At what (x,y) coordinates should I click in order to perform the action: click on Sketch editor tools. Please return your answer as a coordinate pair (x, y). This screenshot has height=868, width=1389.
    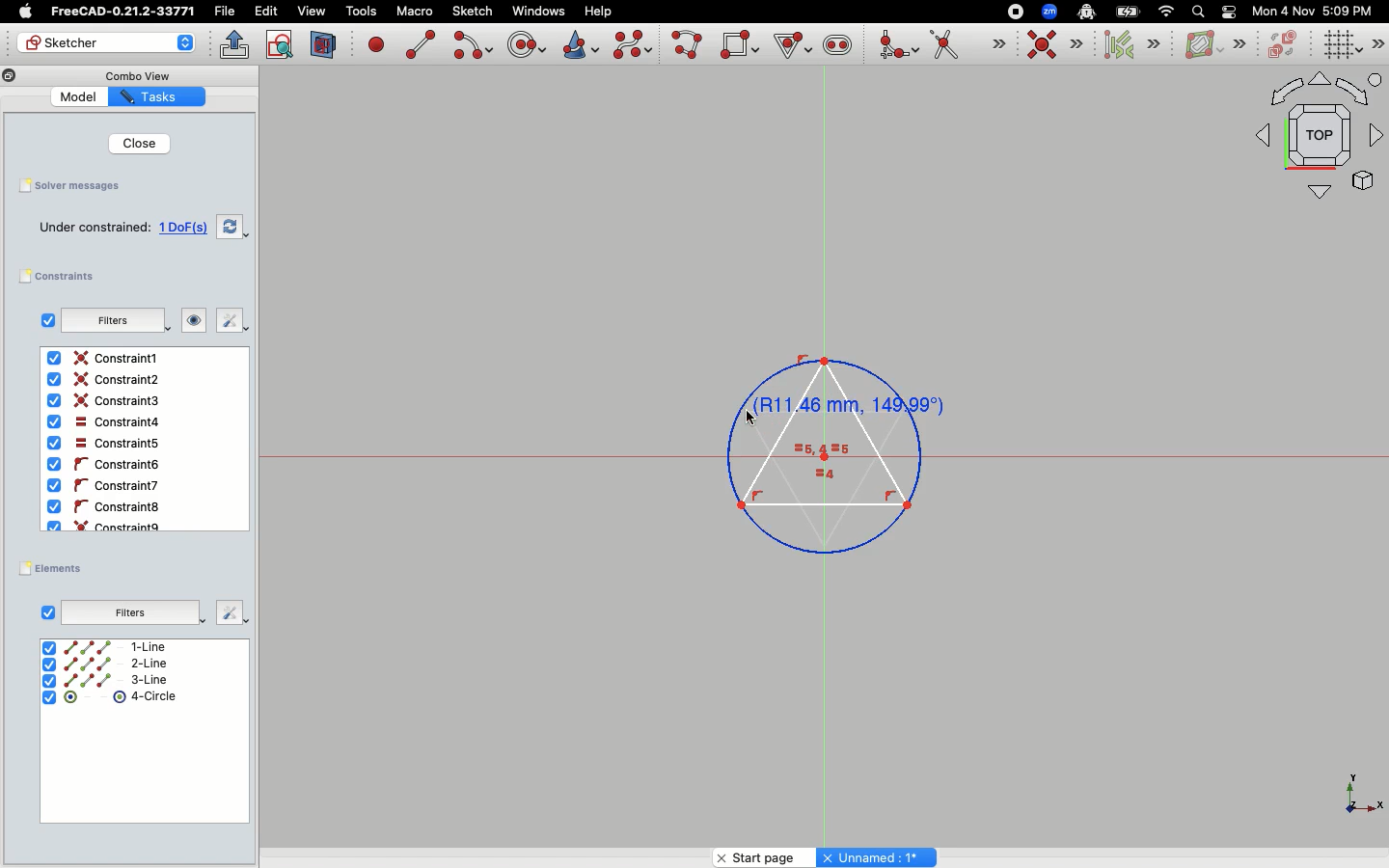
    Looking at the image, I should click on (1376, 43).